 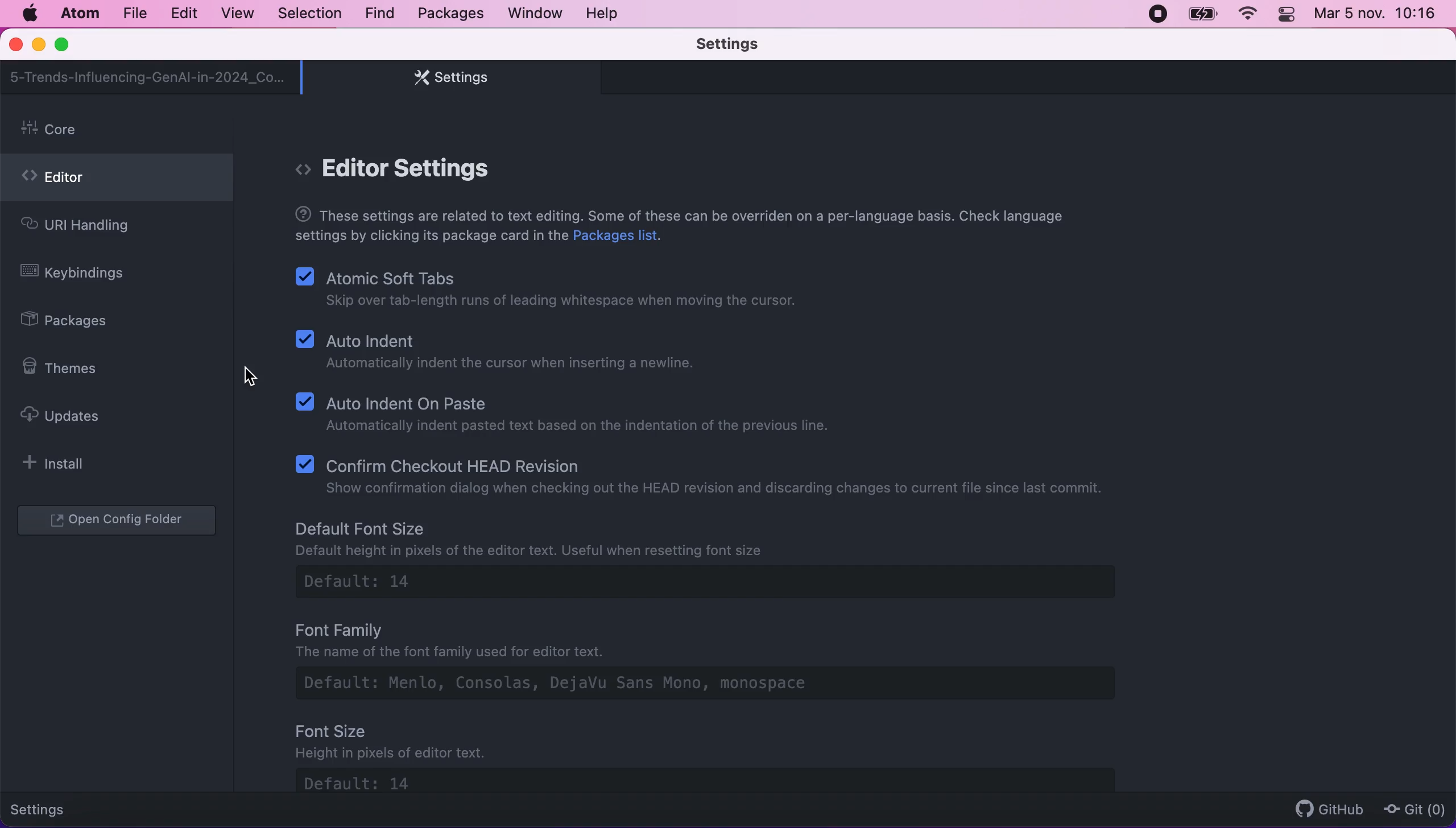 What do you see at coordinates (117, 181) in the screenshot?
I see `editor` at bounding box center [117, 181].